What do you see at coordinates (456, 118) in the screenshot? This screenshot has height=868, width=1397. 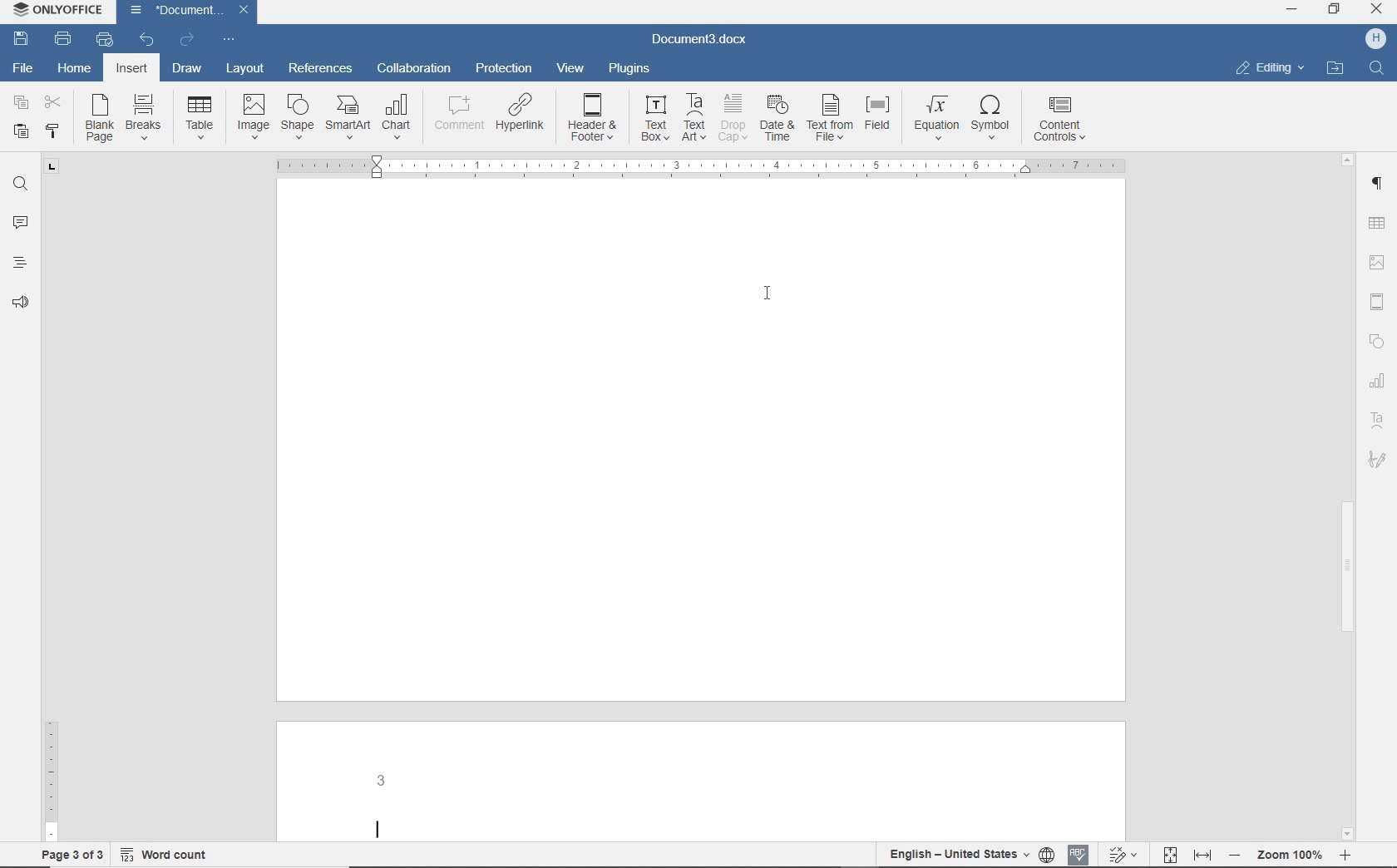 I see `COMMENT` at bounding box center [456, 118].